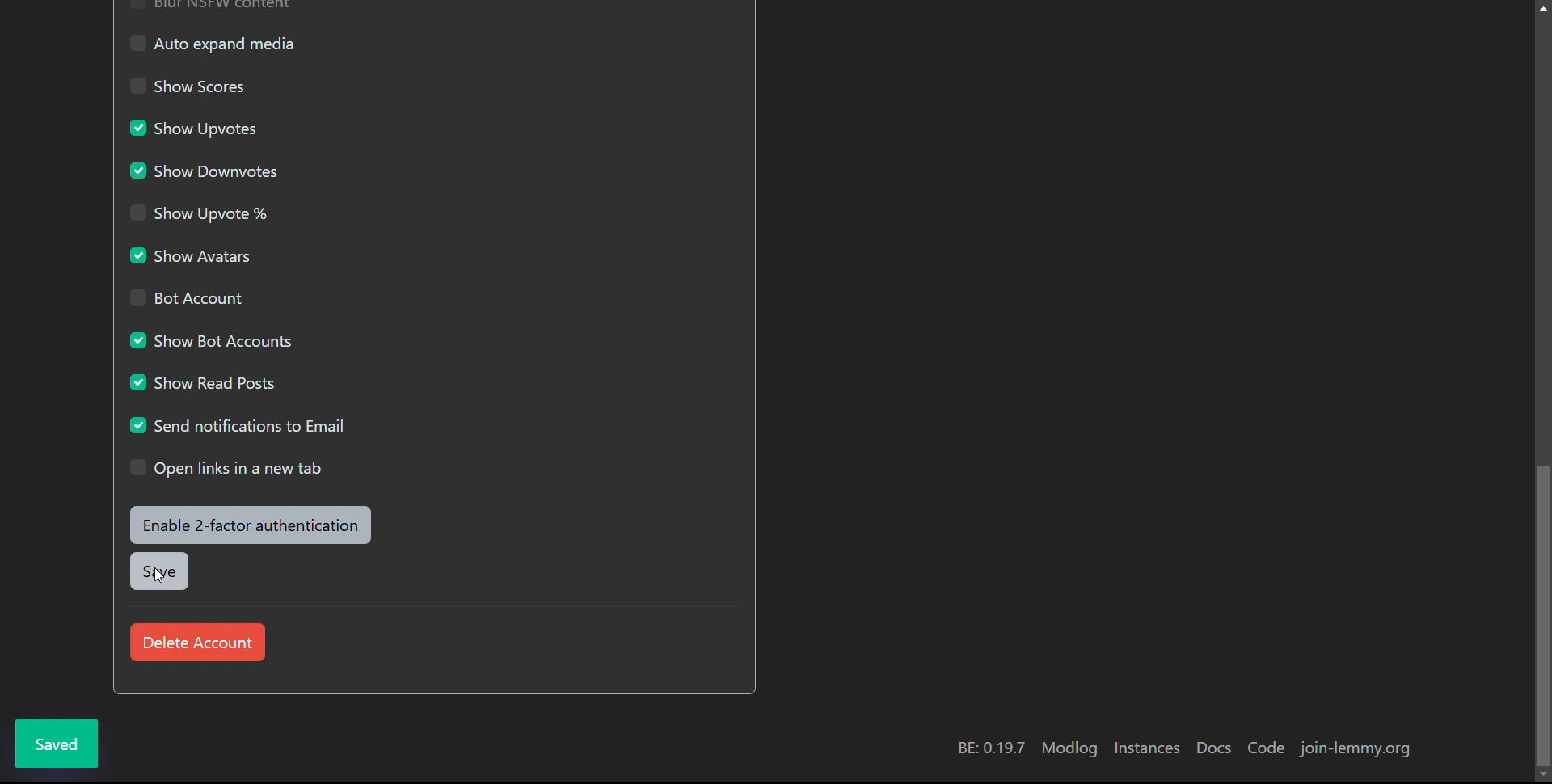  Describe the element at coordinates (1541, 615) in the screenshot. I see `scrollbar moved` at that location.